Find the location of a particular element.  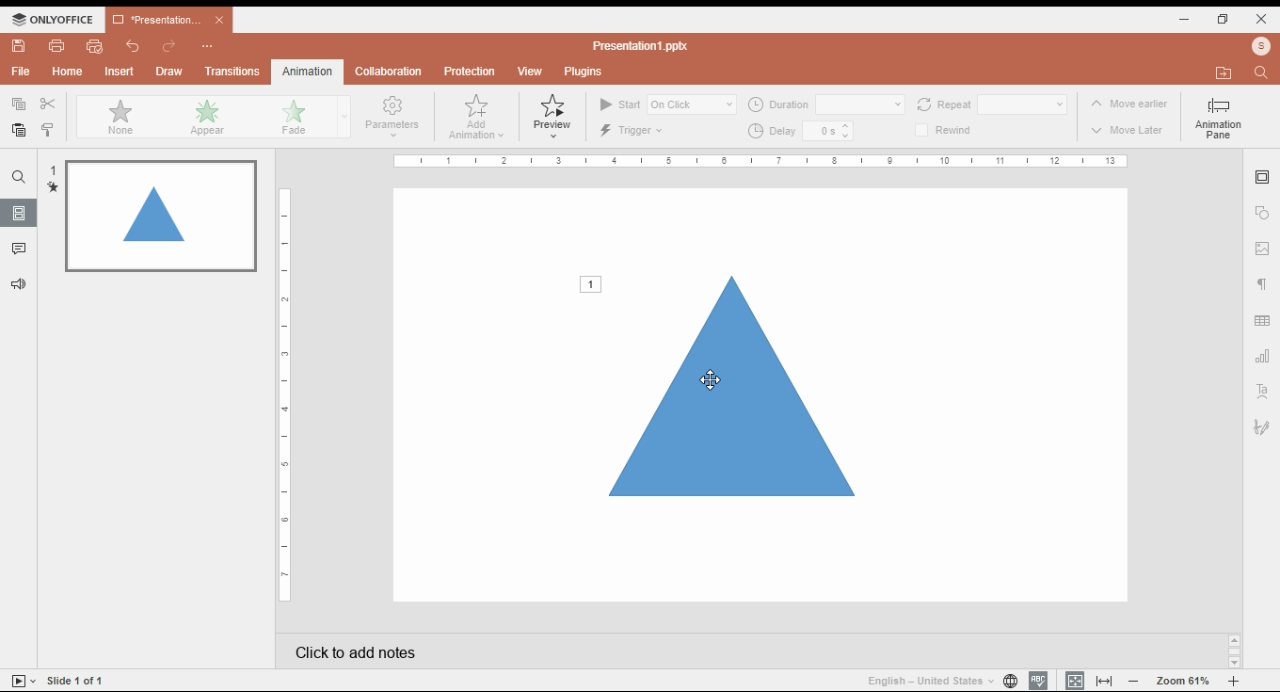

plugins is located at coordinates (585, 72).